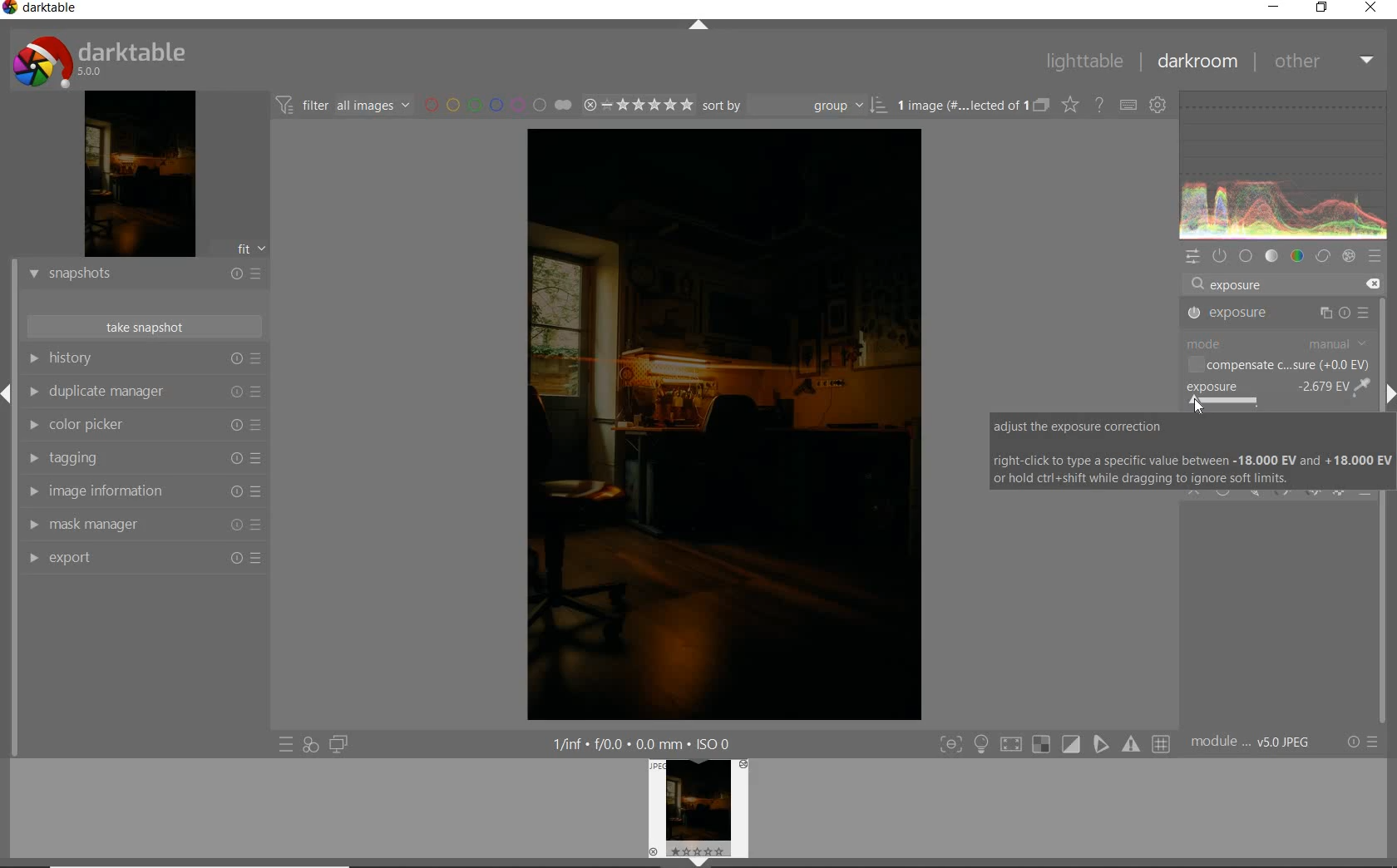 The image size is (1397, 868). What do you see at coordinates (1349, 255) in the screenshot?
I see `effect` at bounding box center [1349, 255].